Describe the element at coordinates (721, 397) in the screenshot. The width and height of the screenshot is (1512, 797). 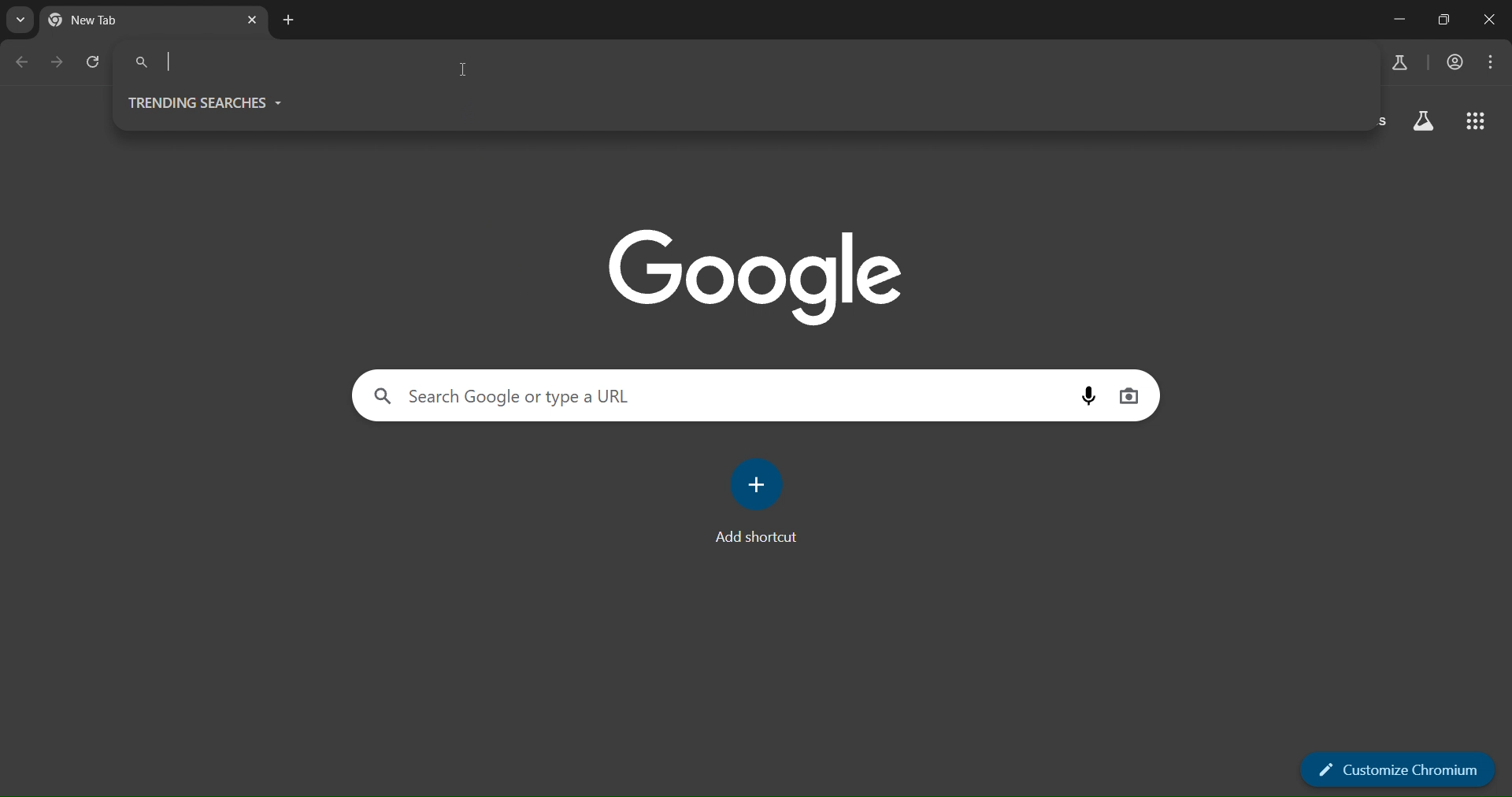
I see `search Google or type a URL` at that location.